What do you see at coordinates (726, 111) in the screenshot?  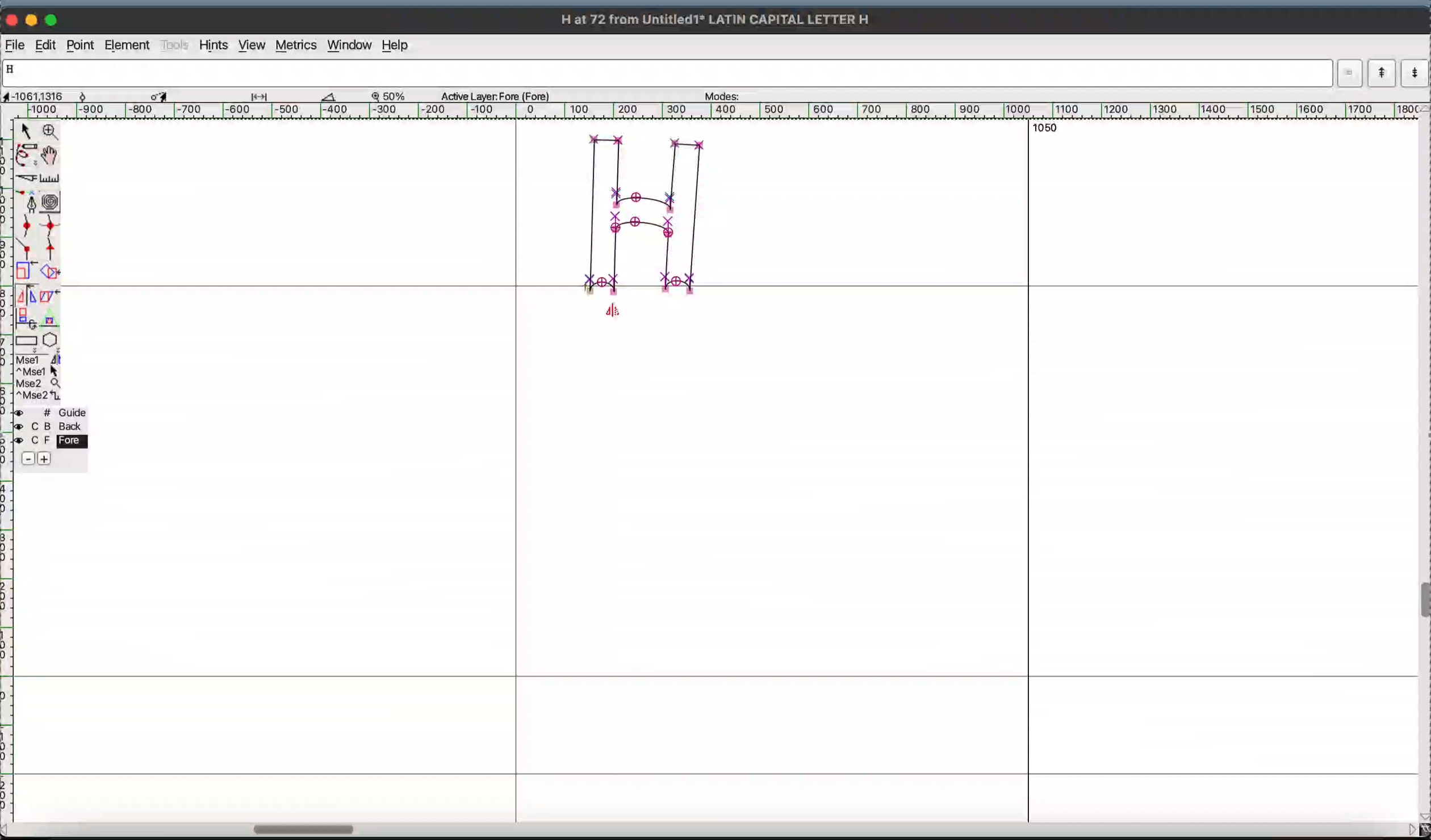 I see `ruler` at bounding box center [726, 111].